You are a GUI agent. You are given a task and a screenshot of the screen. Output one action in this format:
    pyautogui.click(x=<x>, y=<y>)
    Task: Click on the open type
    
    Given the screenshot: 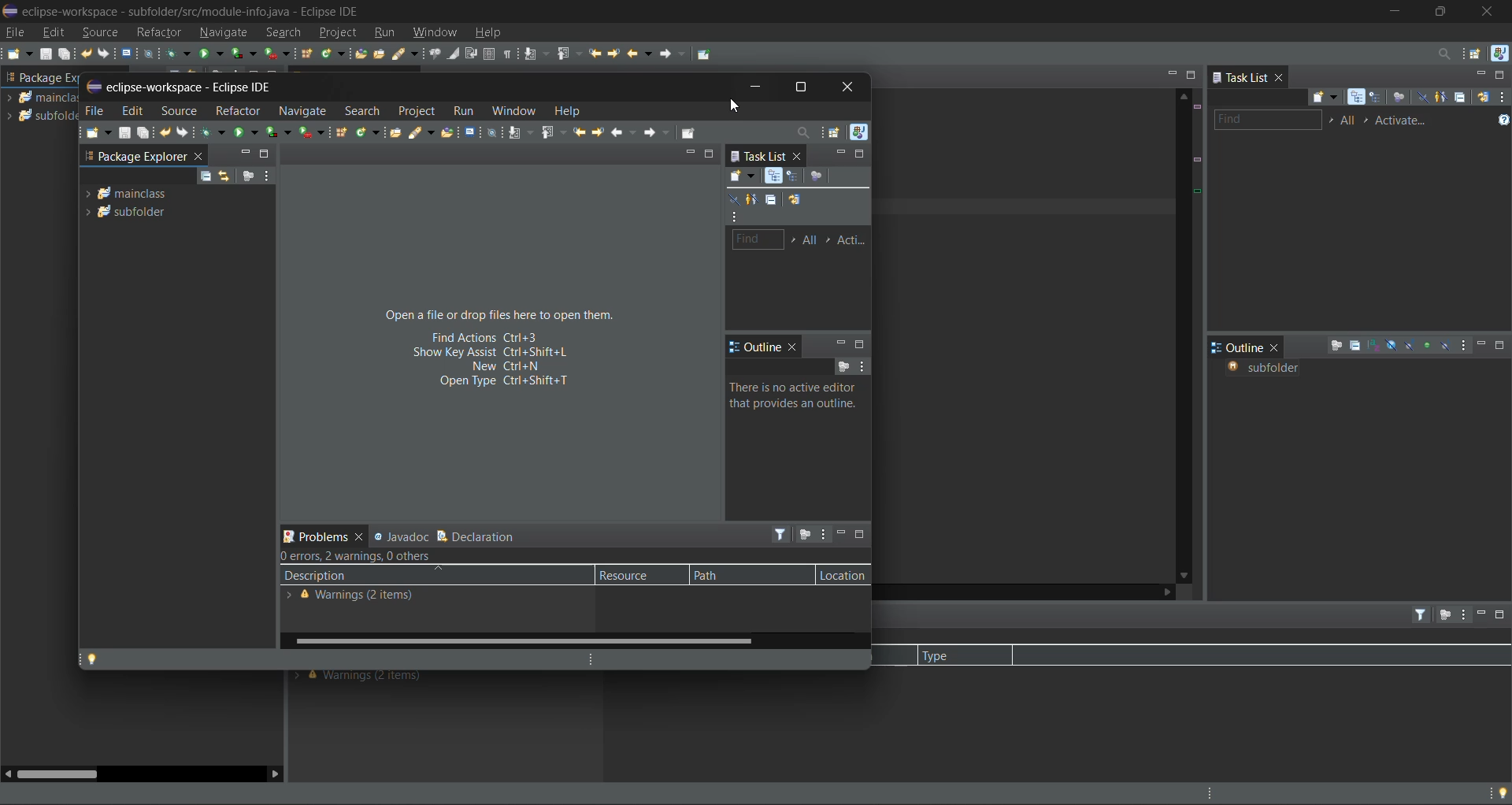 What is the action you would take?
    pyautogui.click(x=361, y=55)
    